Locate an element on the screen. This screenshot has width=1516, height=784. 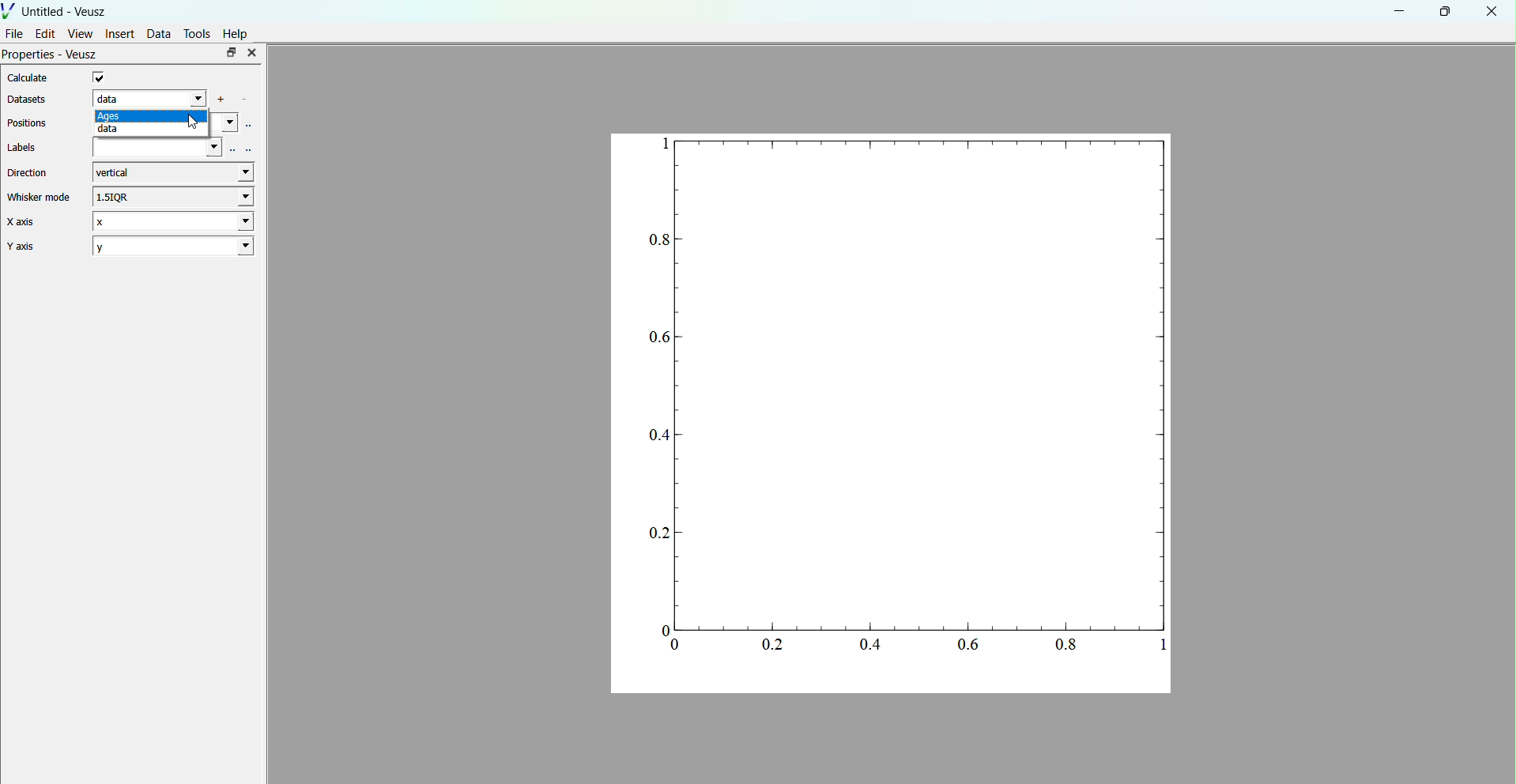
X axis is located at coordinates (32, 223).